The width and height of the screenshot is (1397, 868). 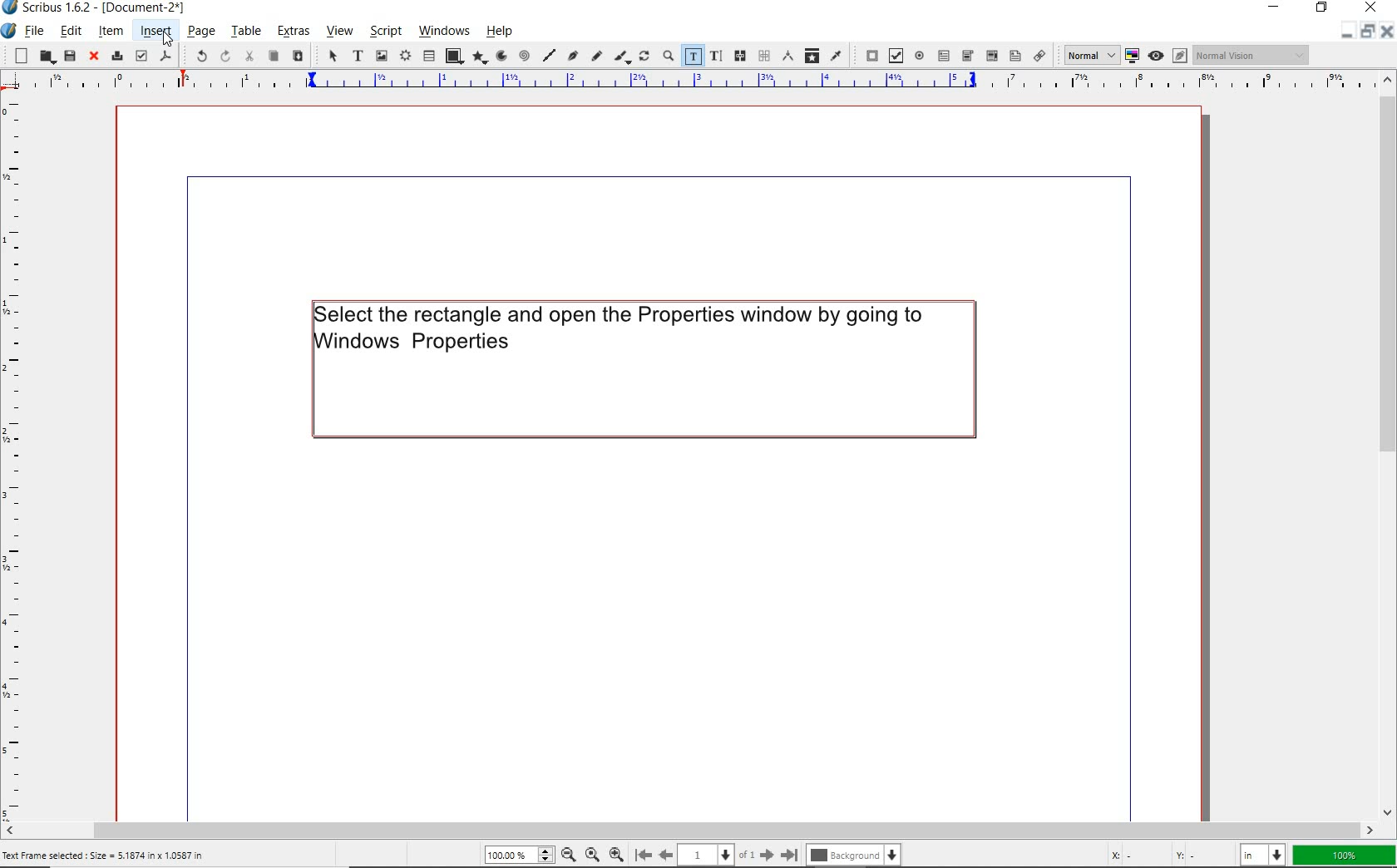 I want to click on pdf radio button, so click(x=919, y=55).